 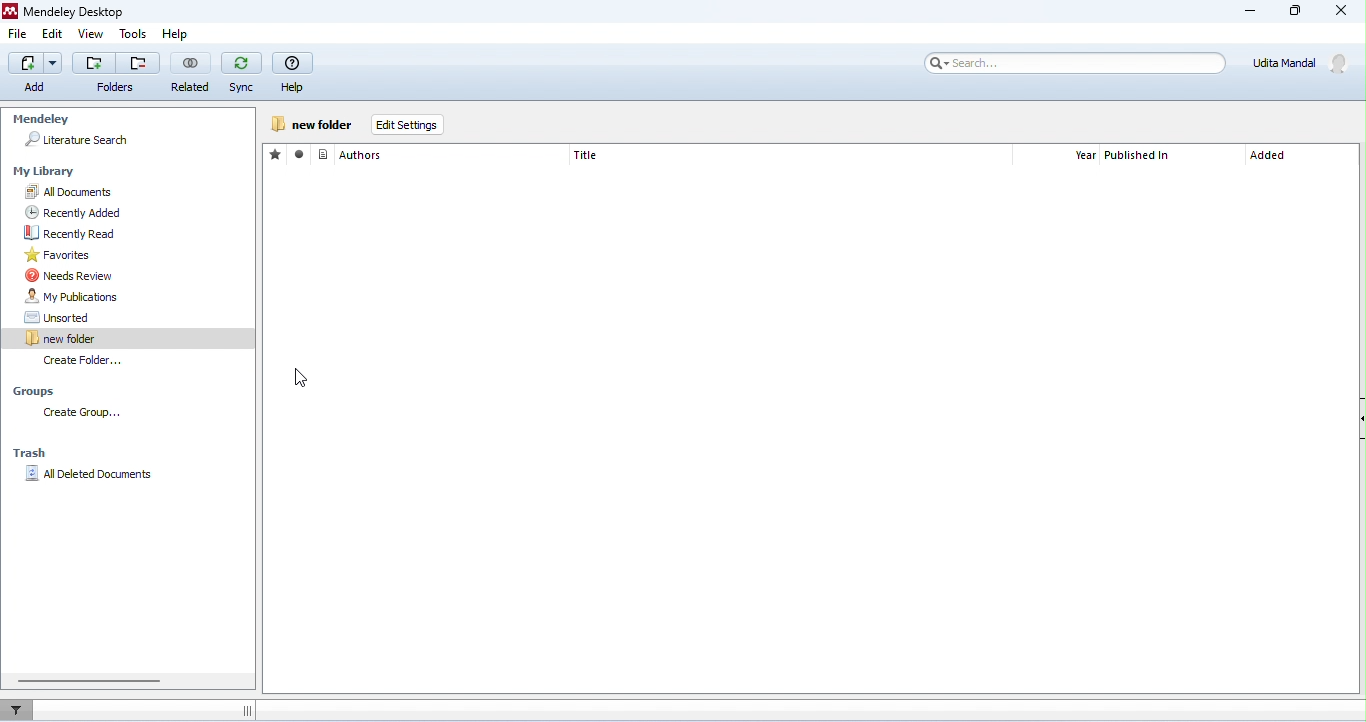 I want to click on title, so click(x=586, y=155).